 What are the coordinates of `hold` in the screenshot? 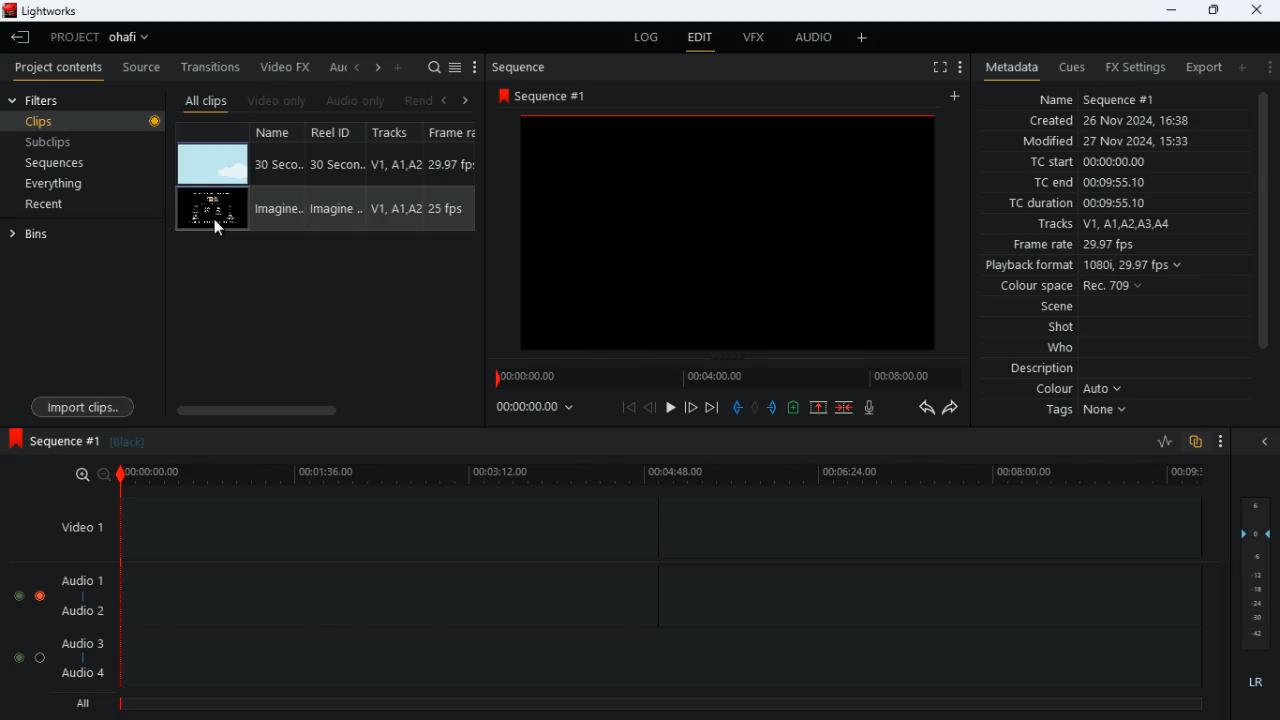 It's located at (756, 408).